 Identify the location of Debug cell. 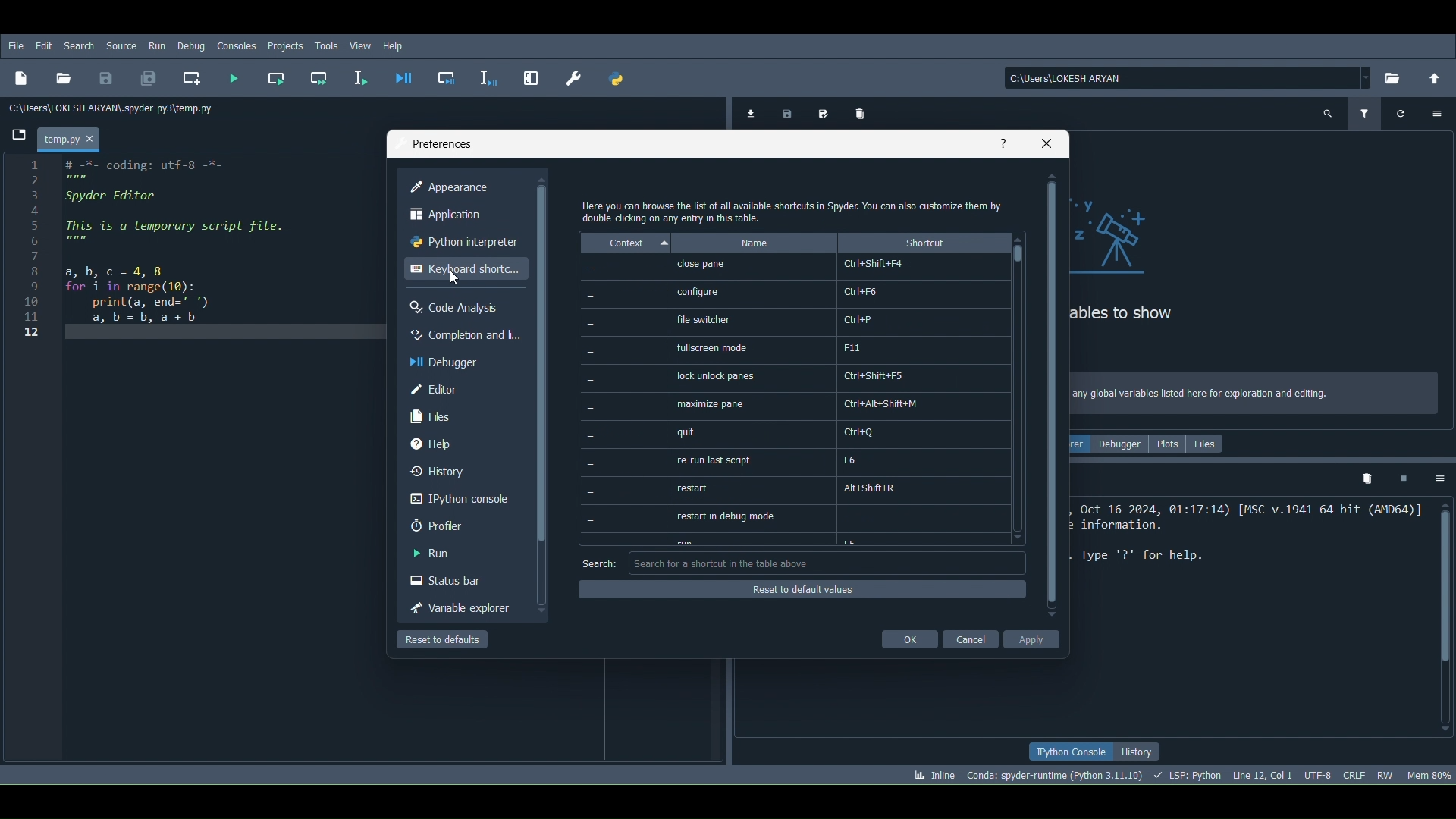
(447, 75).